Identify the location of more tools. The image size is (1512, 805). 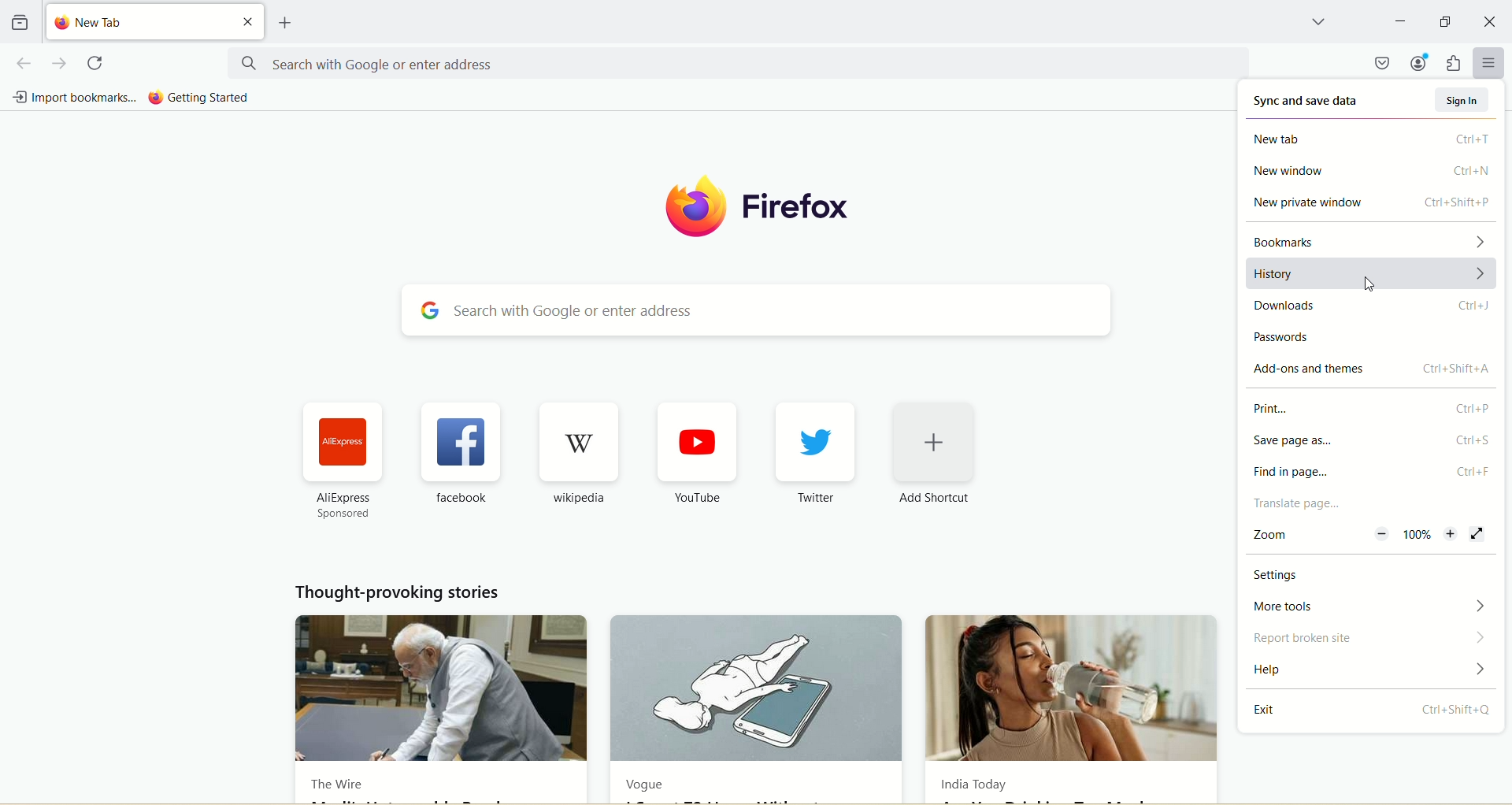
(1373, 607).